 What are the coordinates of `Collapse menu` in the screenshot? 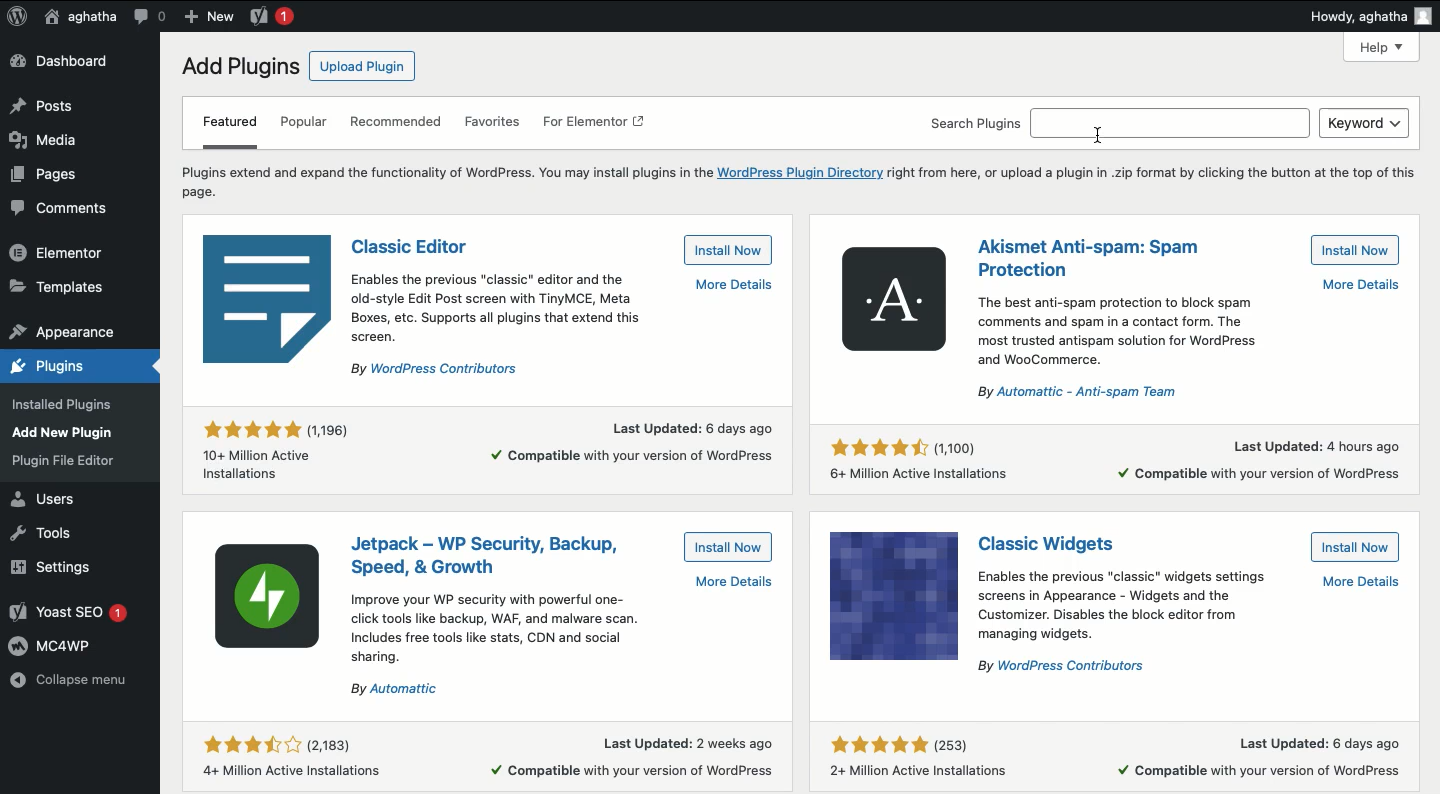 It's located at (71, 678).